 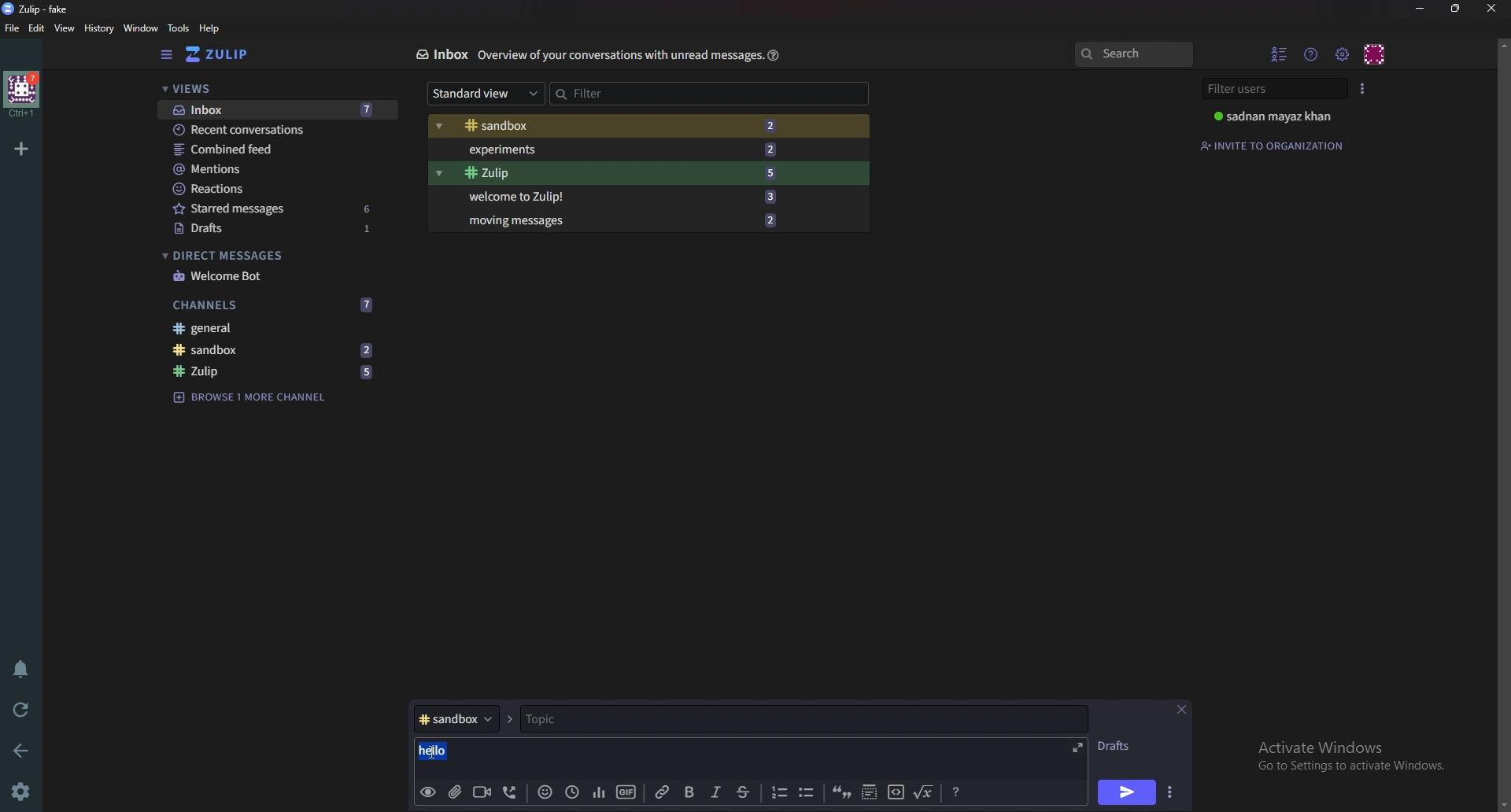 I want to click on Activate Windows
Go to Settings to activate Windows., so click(x=1347, y=754).